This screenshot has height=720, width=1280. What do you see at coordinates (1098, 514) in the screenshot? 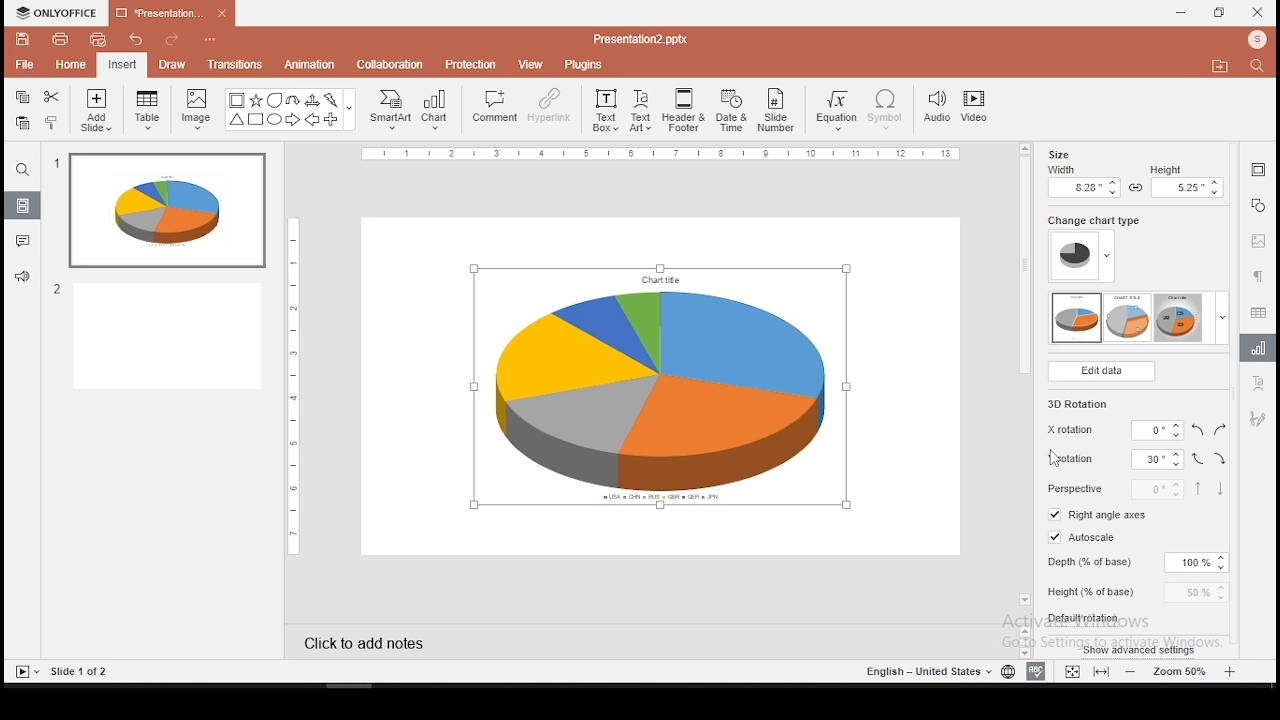
I see `right angle axes on/off` at bounding box center [1098, 514].